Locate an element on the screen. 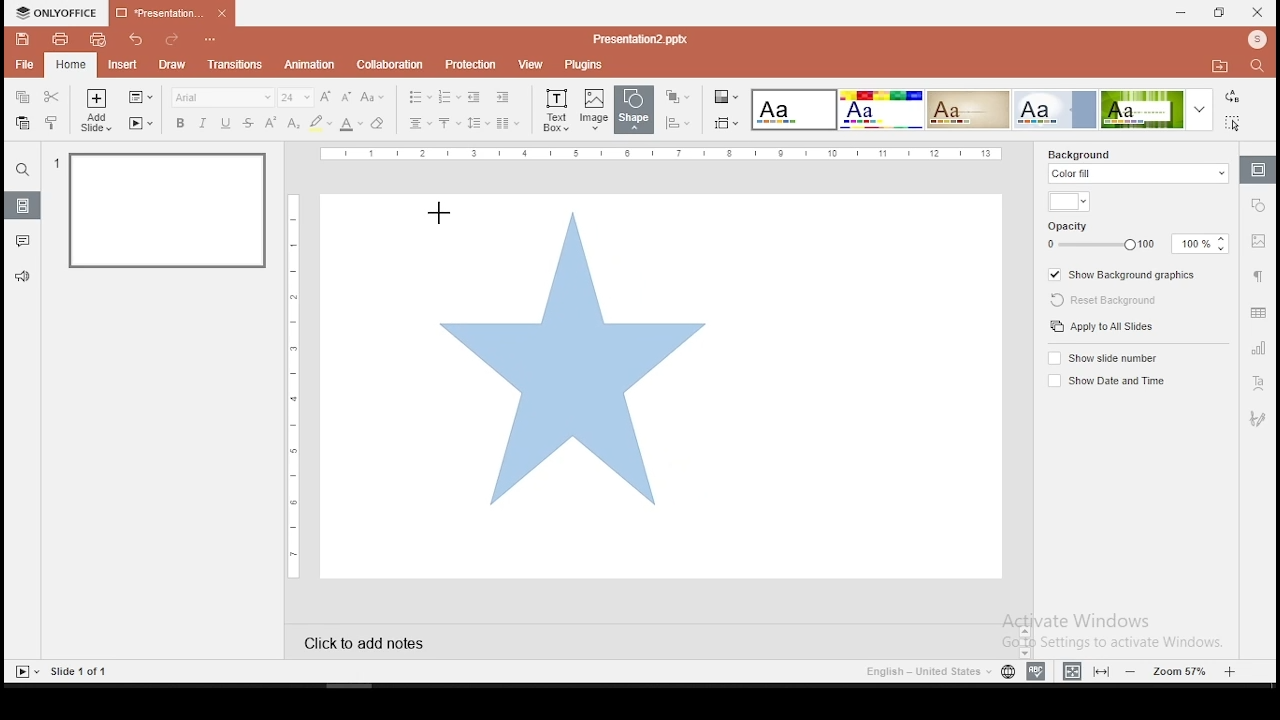 This screenshot has width=1280, height=720. select slide size is located at coordinates (726, 123).